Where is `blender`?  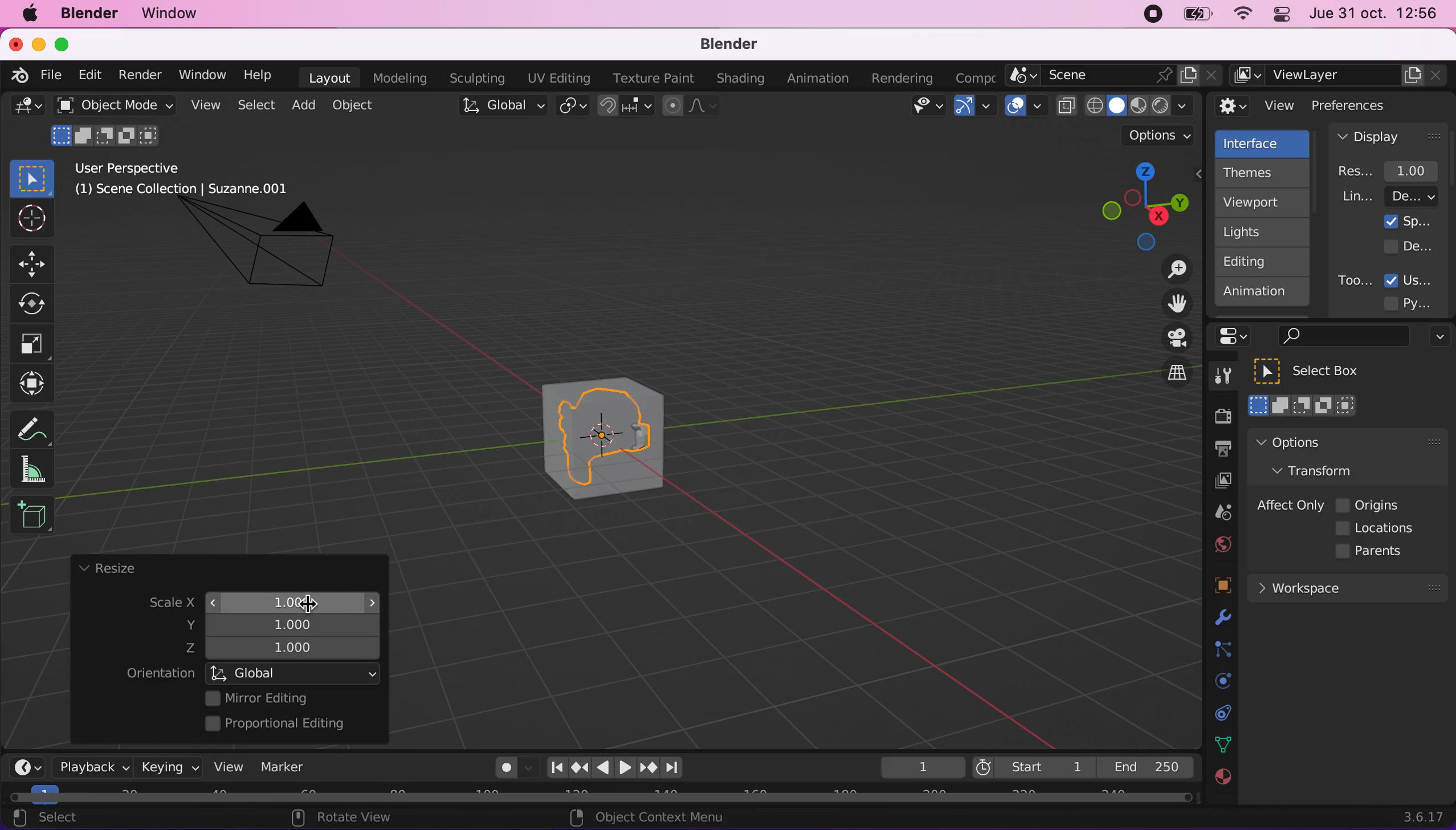
blender is located at coordinates (15, 74).